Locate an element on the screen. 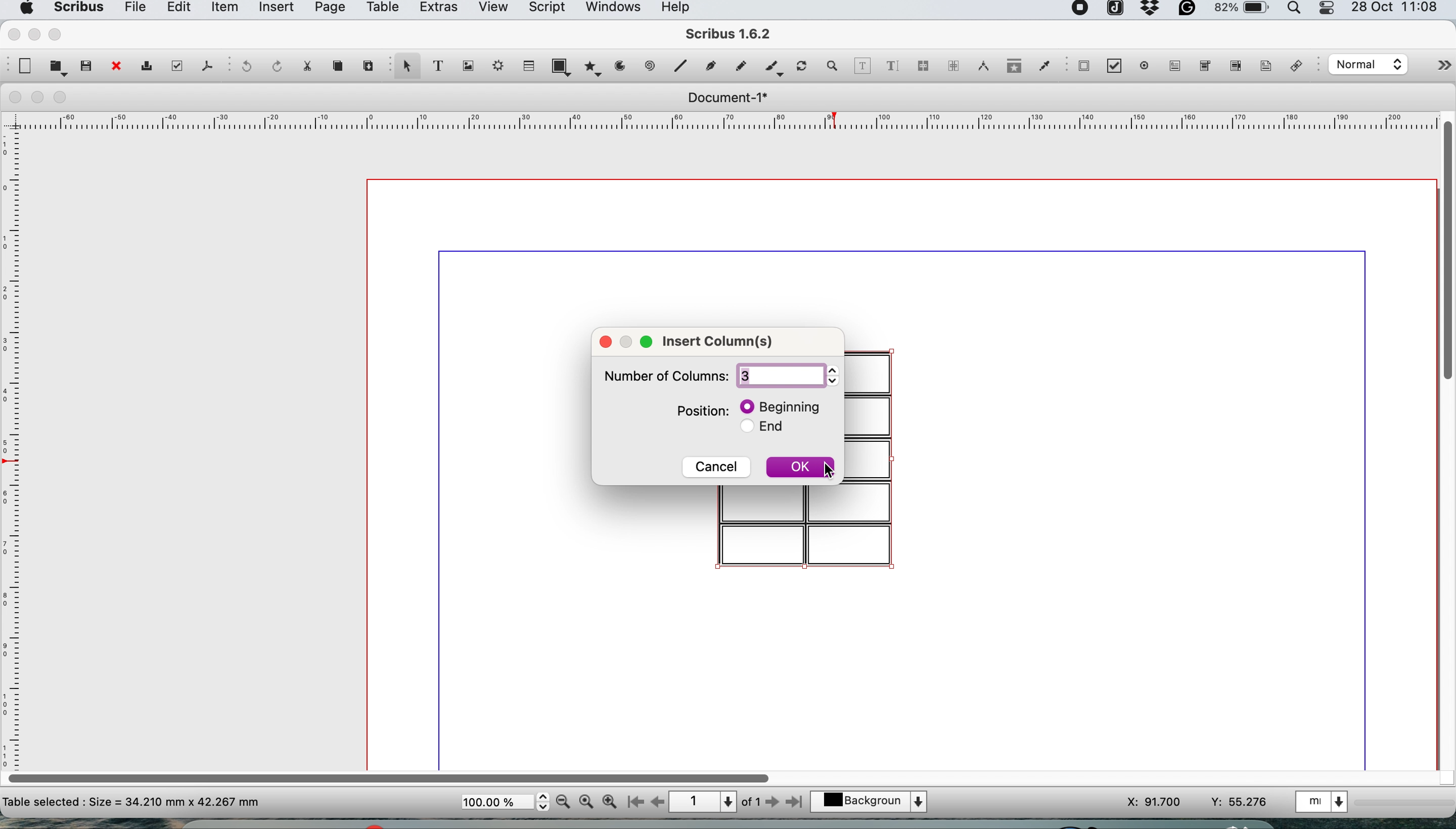 The height and width of the screenshot is (829, 1456). vertical scroll bar is located at coordinates (1446, 248).